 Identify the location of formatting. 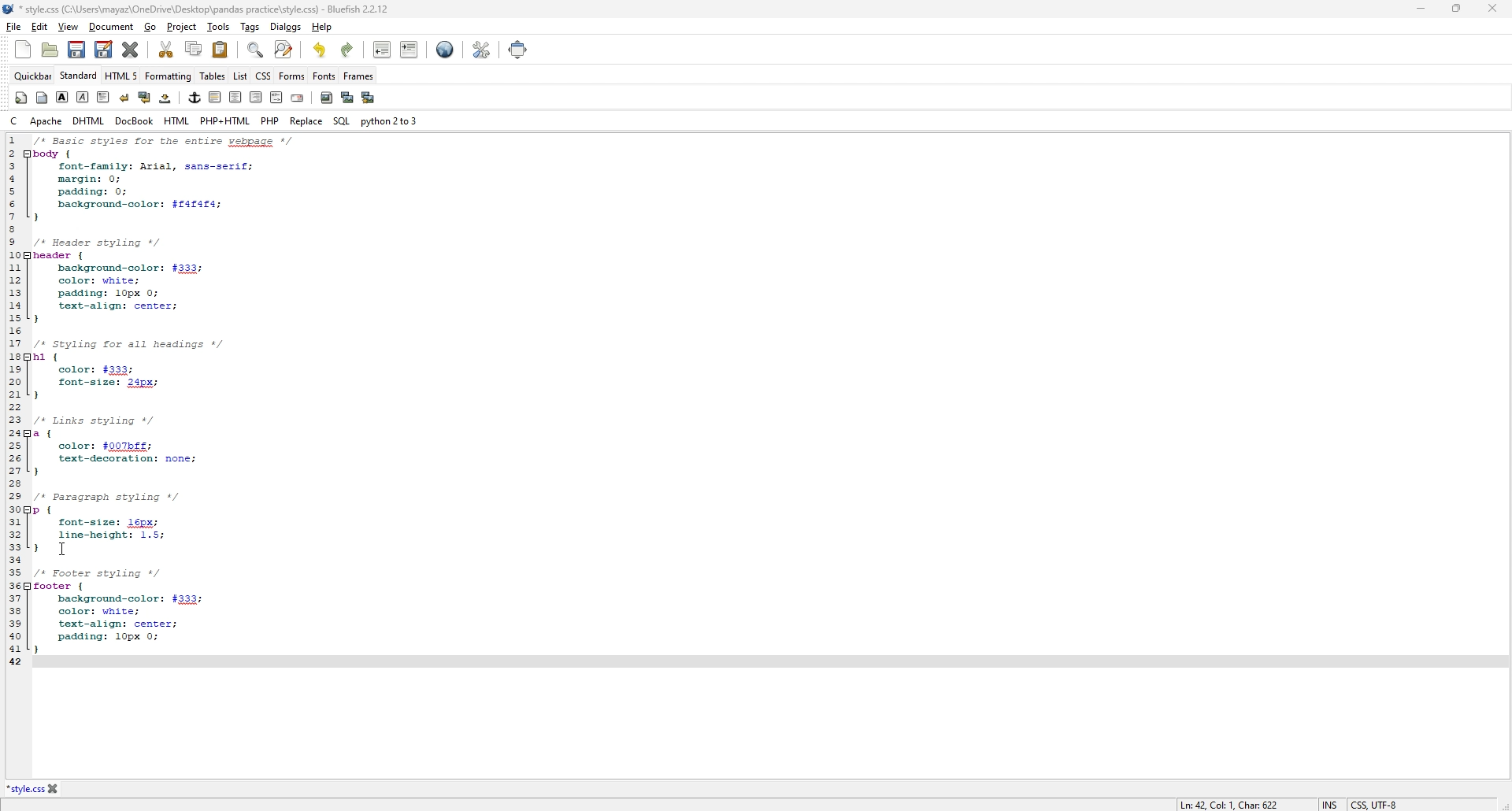
(169, 76).